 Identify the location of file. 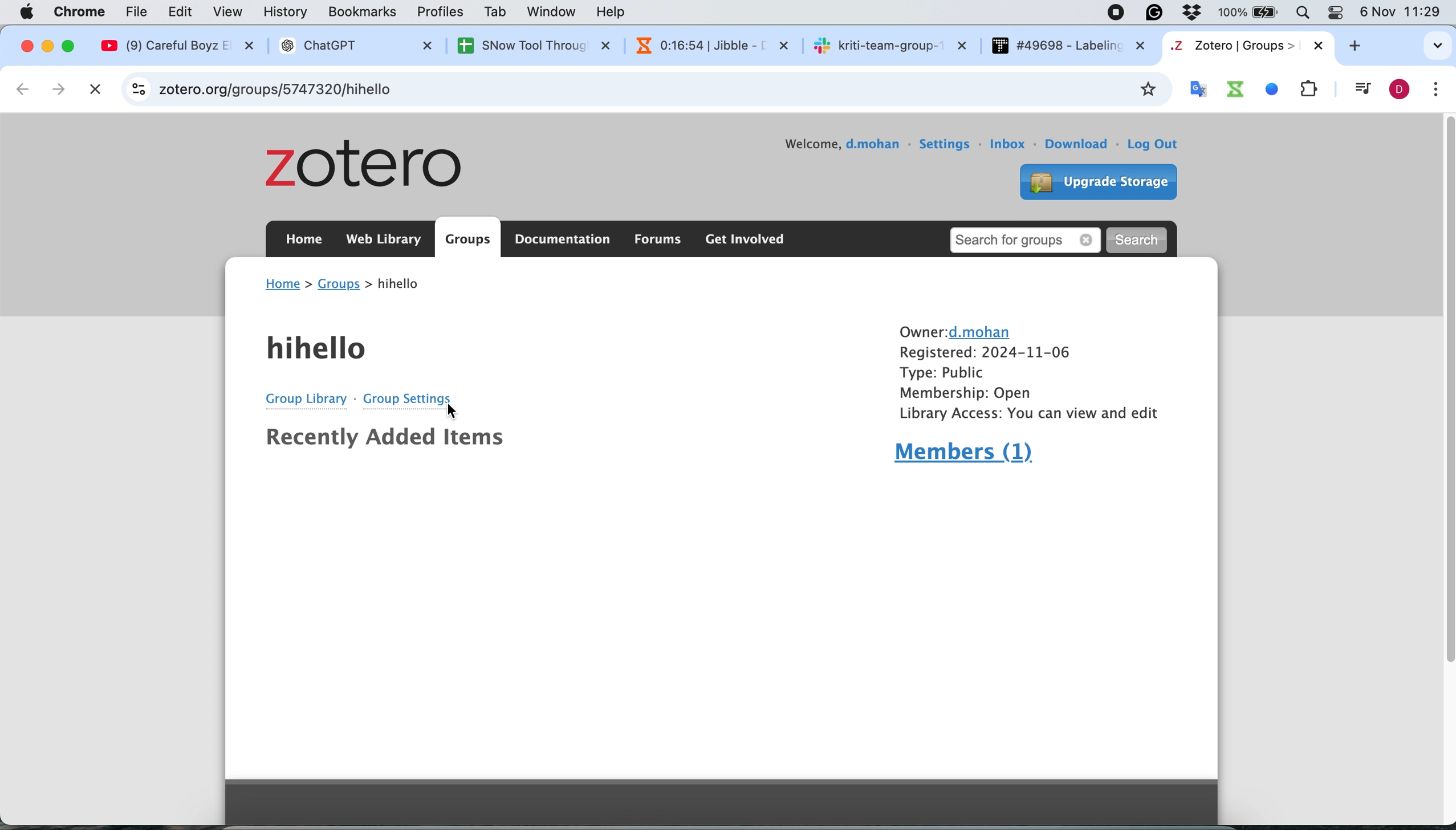
(140, 12).